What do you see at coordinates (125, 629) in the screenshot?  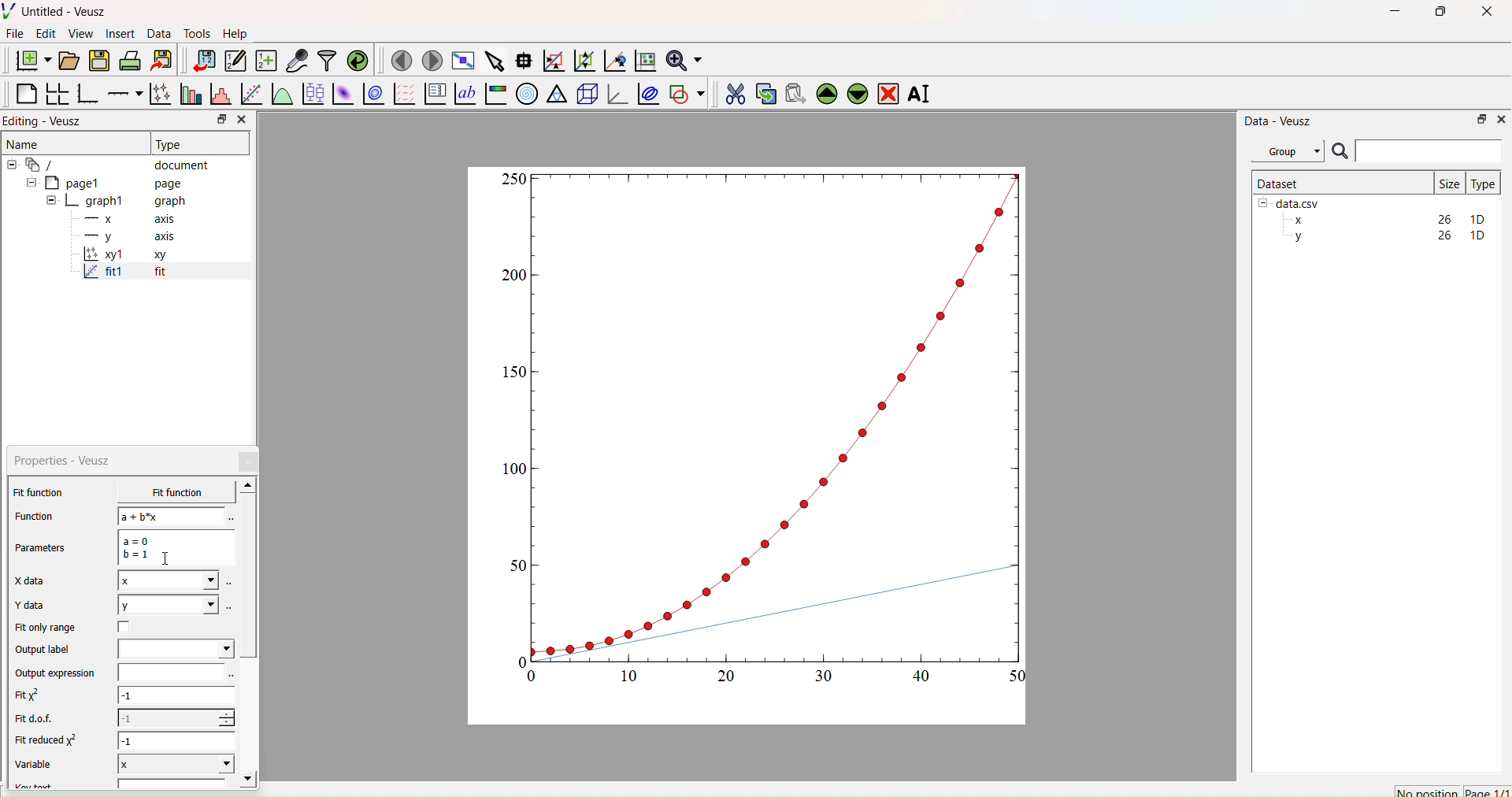 I see `Checkbox` at bounding box center [125, 629].